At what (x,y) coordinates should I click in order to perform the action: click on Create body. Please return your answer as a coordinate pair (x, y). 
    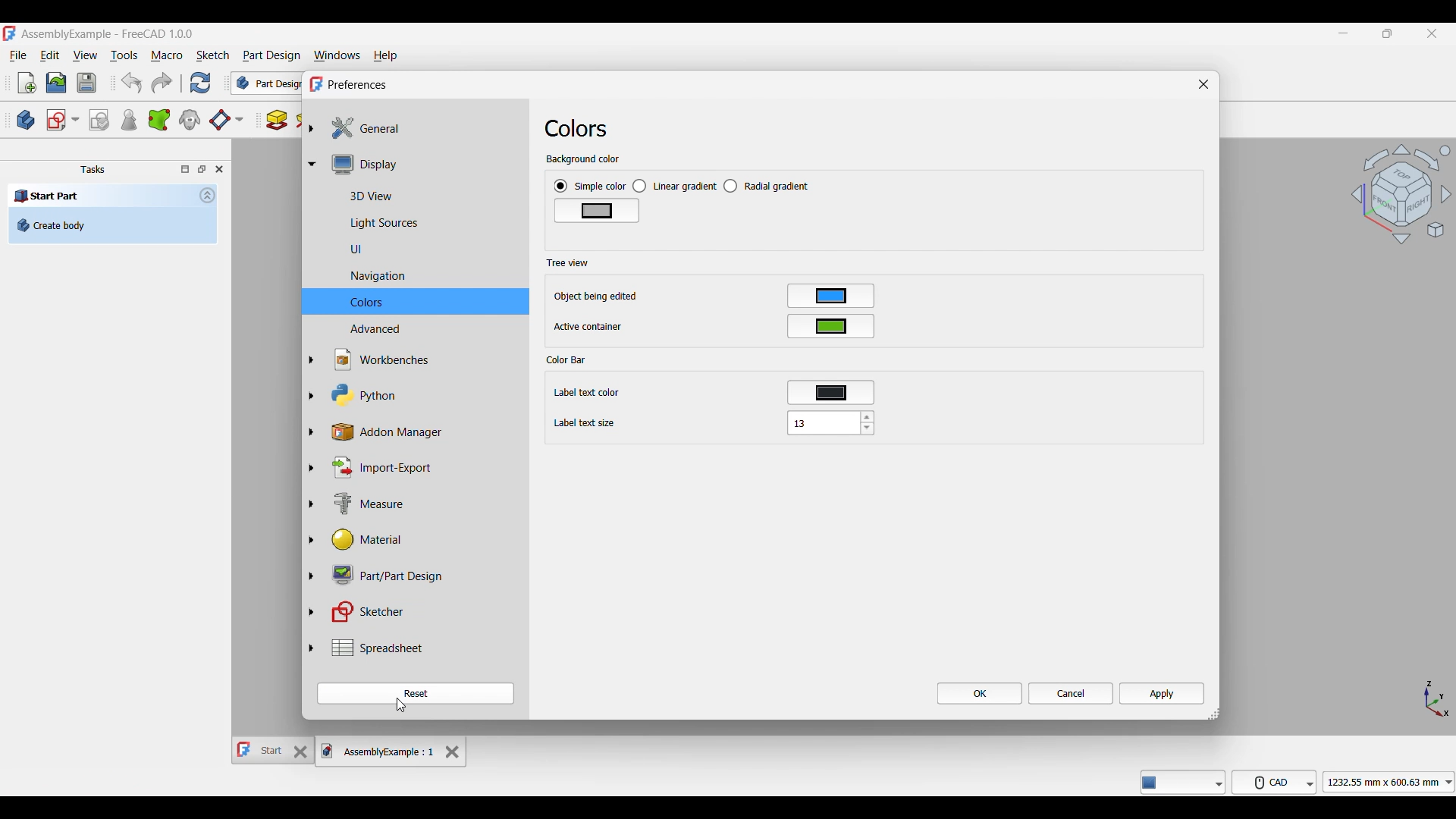
    Looking at the image, I should click on (113, 225).